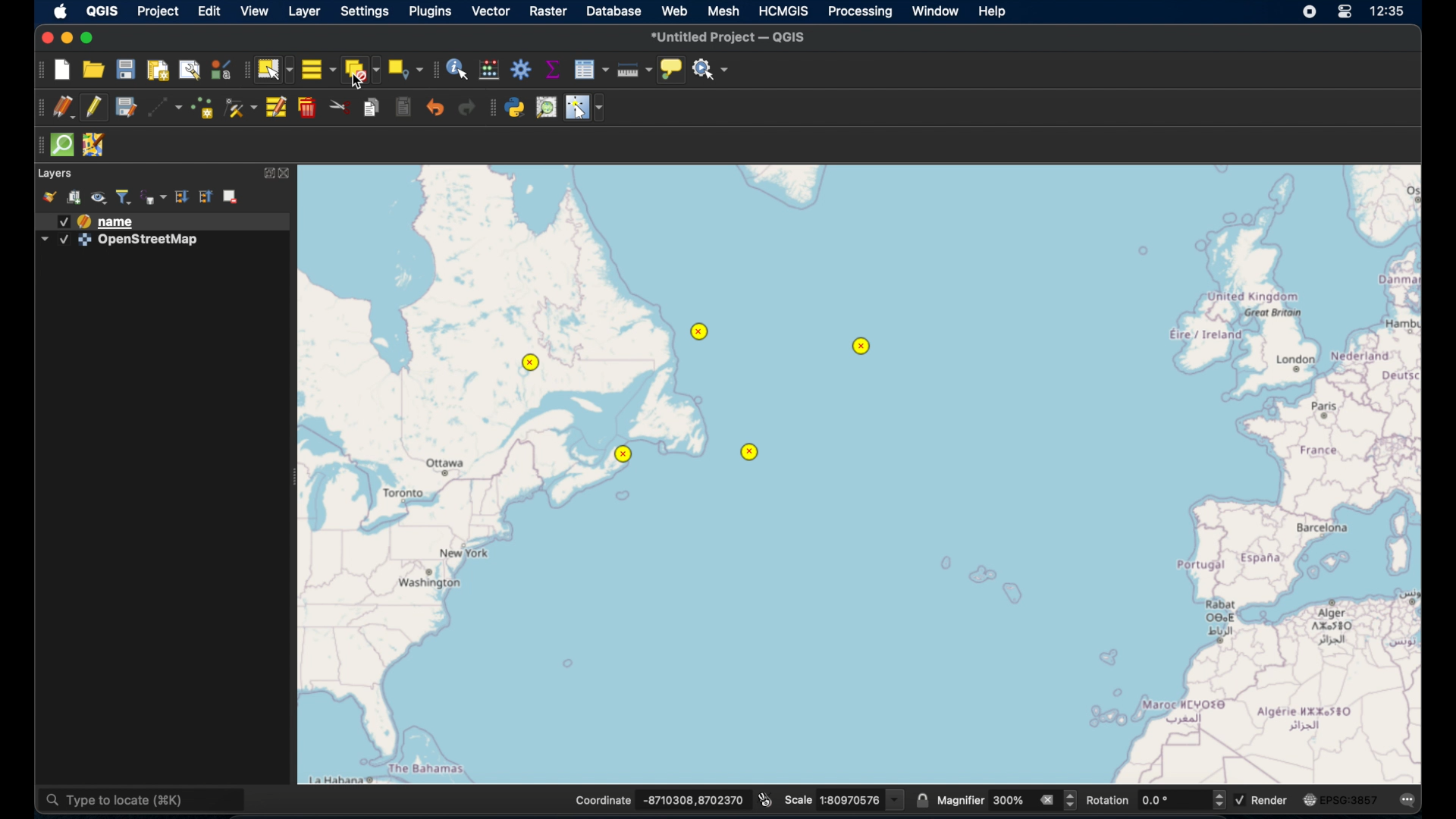 Image resolution: width=1456 pixels, height=819 pixels. Describe the element at coordinates (551, 12) in the screenshot. I see `raster` at that location.